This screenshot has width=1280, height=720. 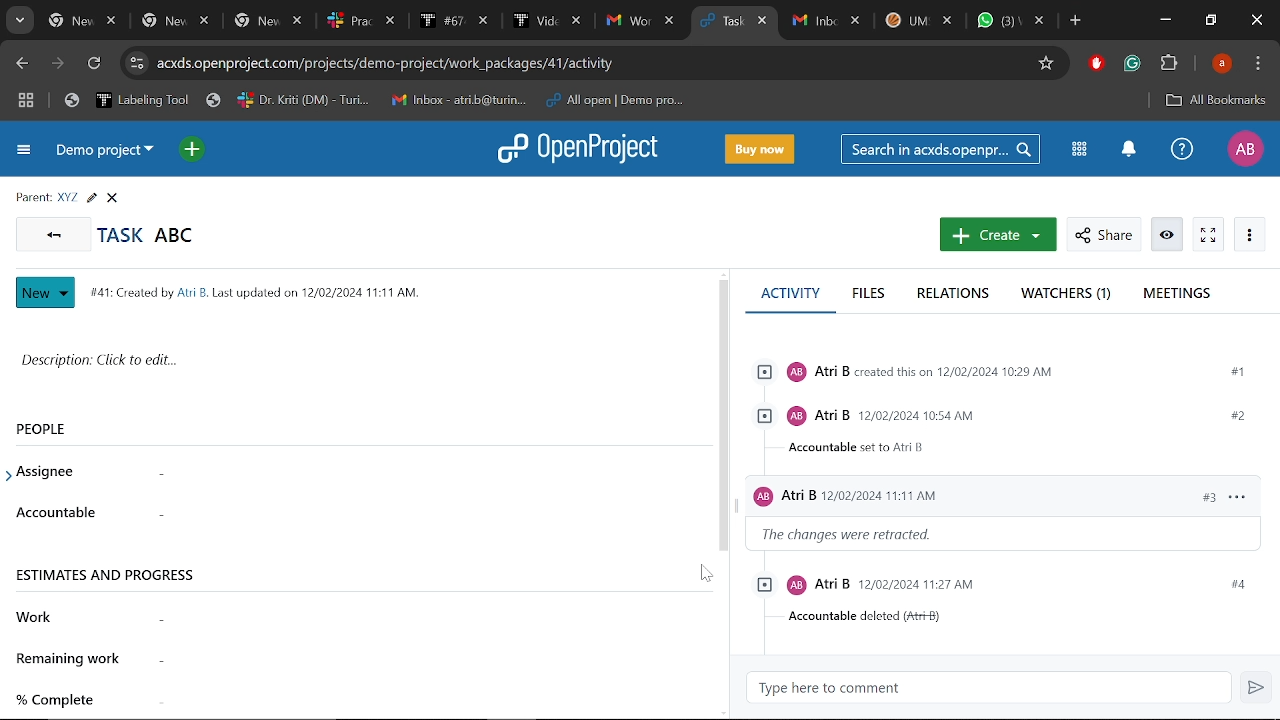 What do you see at coordinates (1102, 234) in the screenshot?
I see `` at bounding box center [1102, 234].